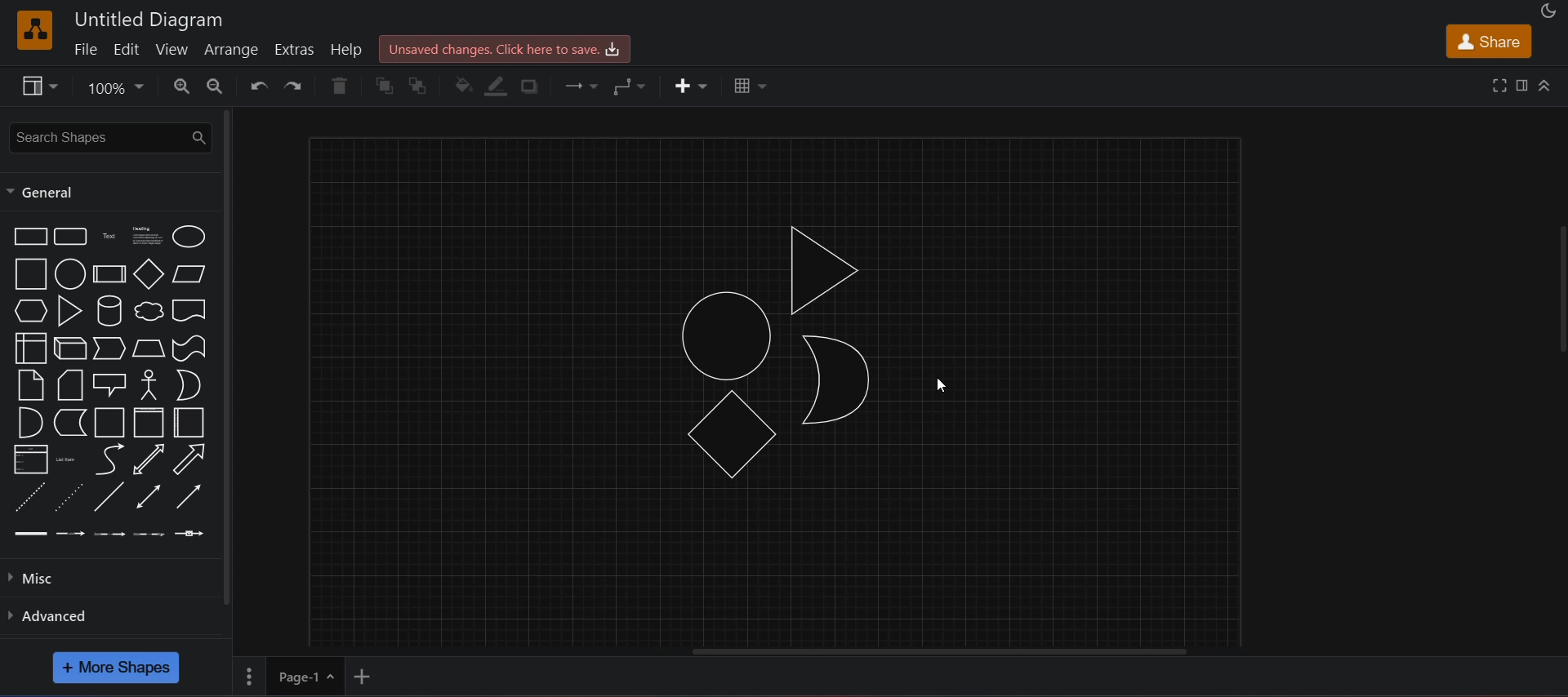 This screenshot has width=1568, height=697. I want to click on to back, so click(424, 86).